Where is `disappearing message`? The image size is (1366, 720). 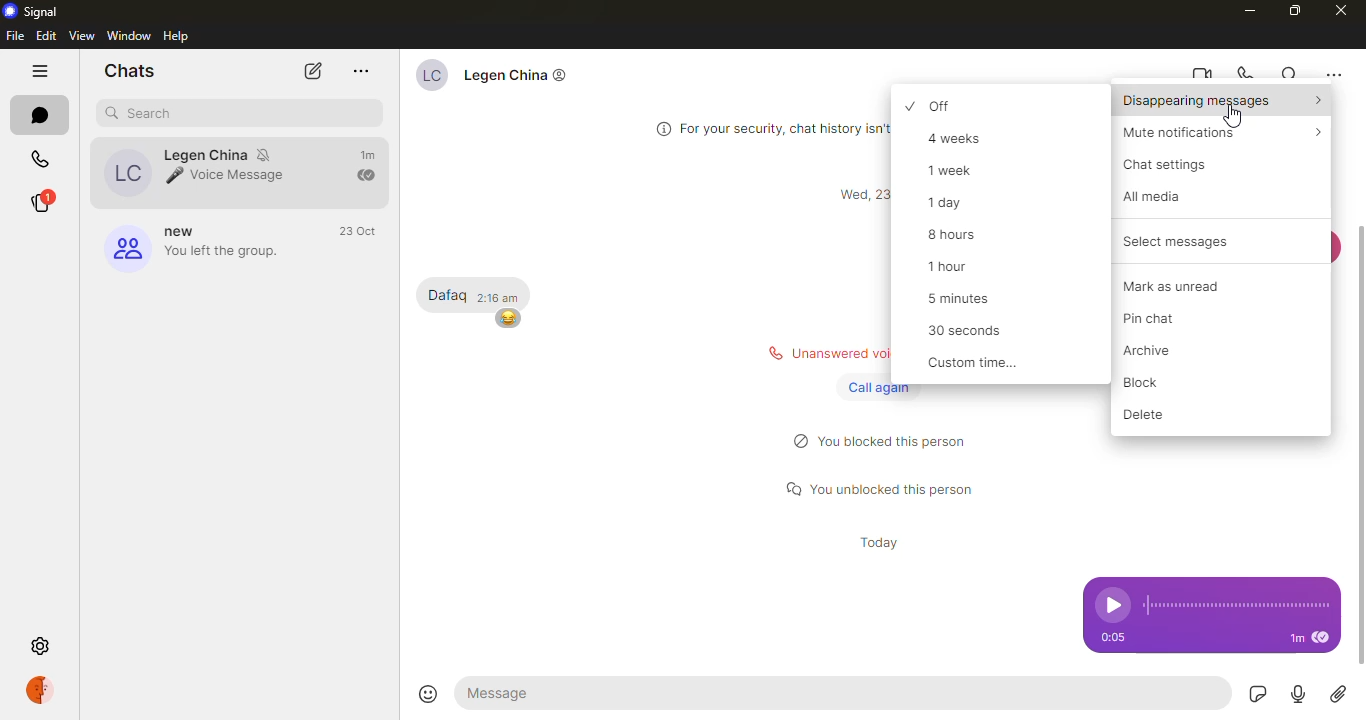
disappearing message is located at coordinates (1221, 102).